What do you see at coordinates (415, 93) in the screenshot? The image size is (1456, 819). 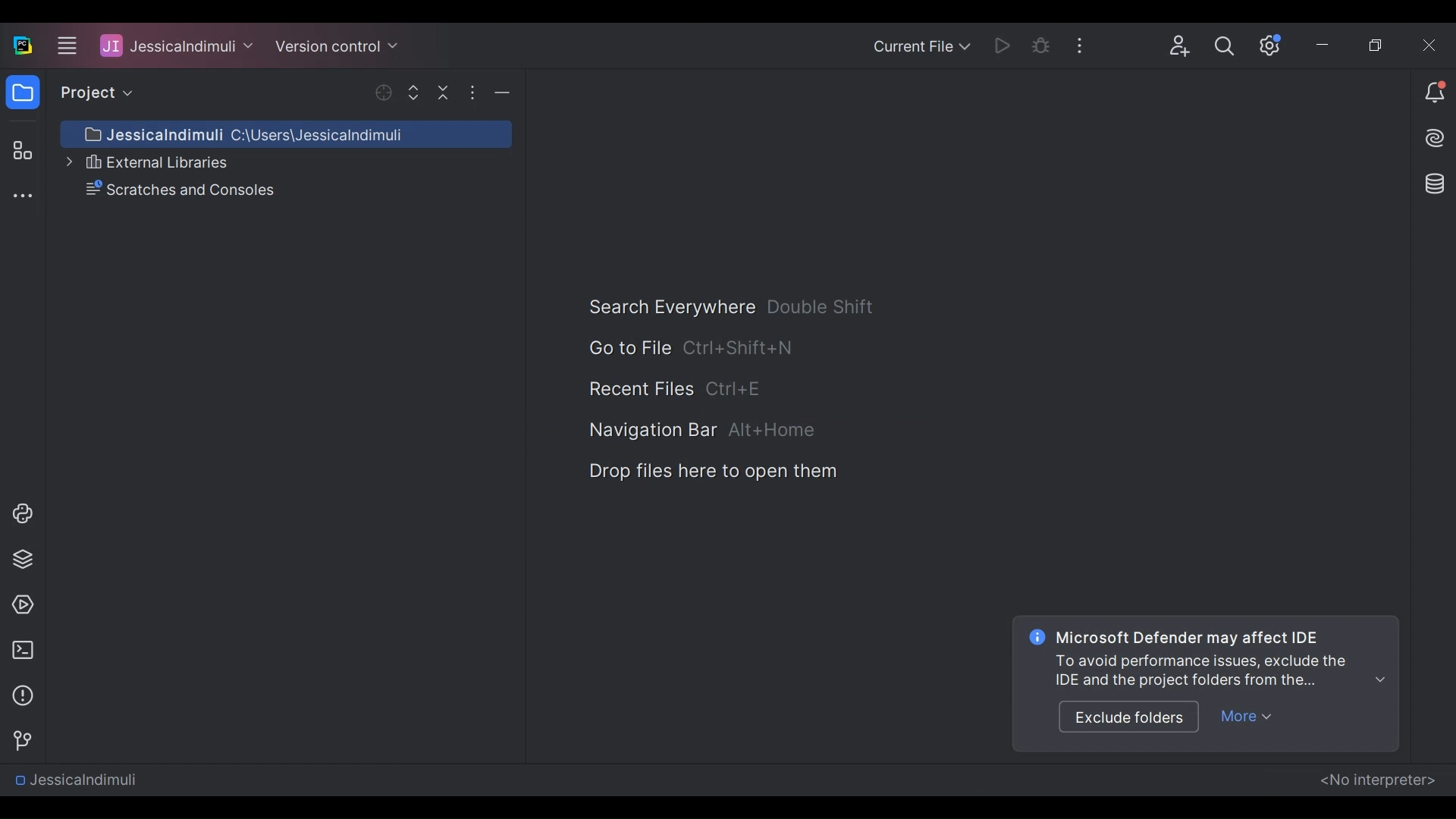 I see `Expand Selected` at bounding box center [415, 93].